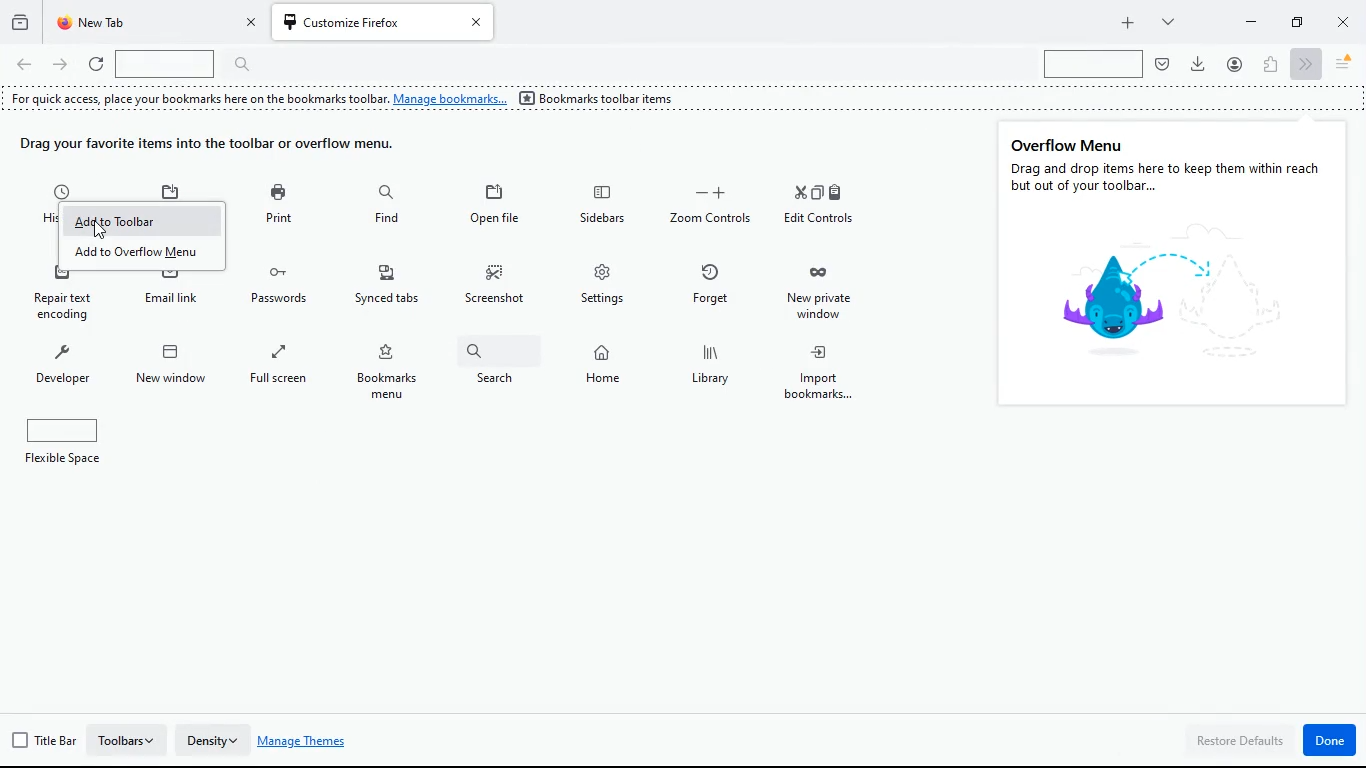  What do you see at coordinates (1145, 295) in the screenshot?
I see `symbol` at bounding box center [1145, 295].